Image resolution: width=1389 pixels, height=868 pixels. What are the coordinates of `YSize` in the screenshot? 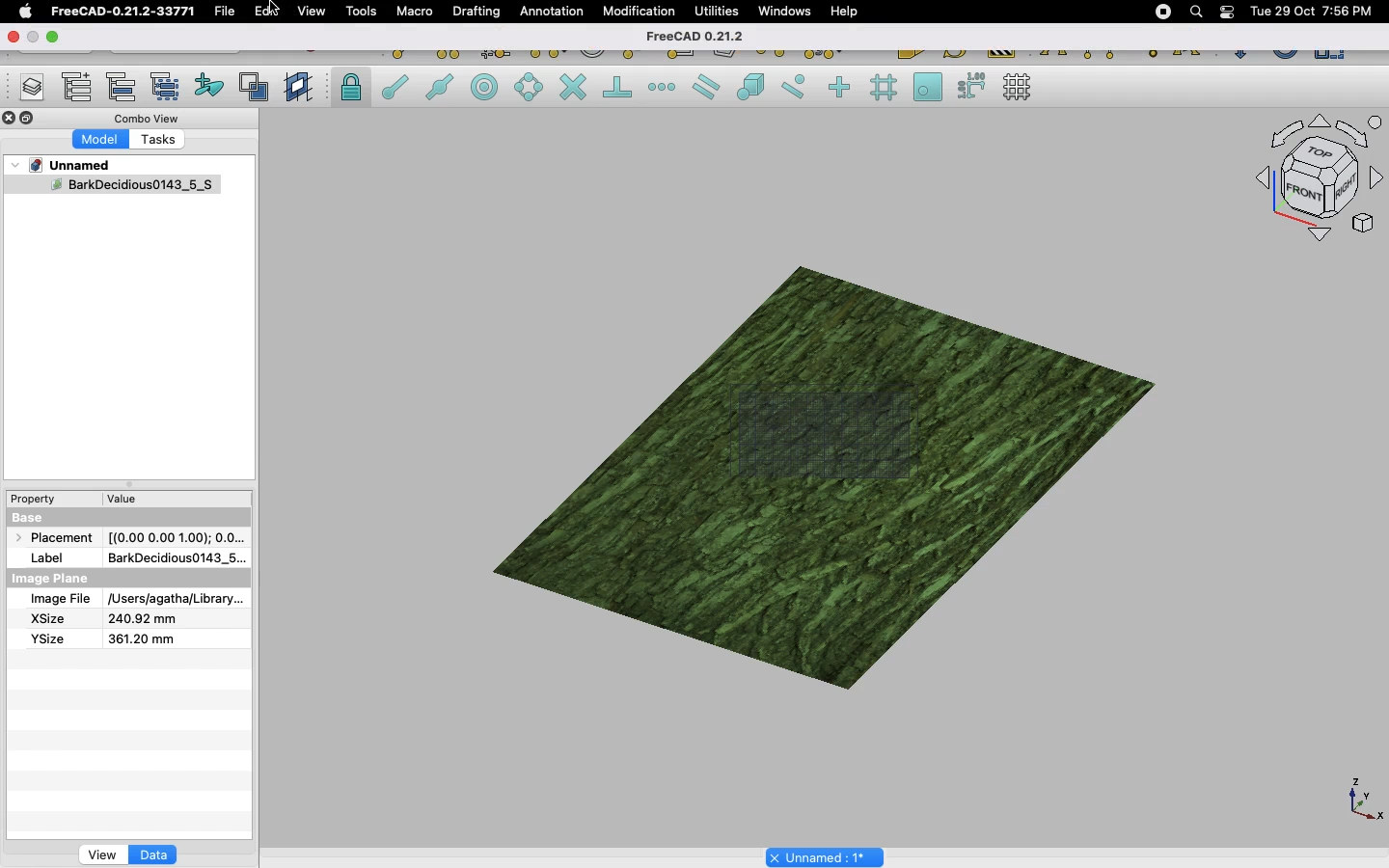 It's located at (45, 638).